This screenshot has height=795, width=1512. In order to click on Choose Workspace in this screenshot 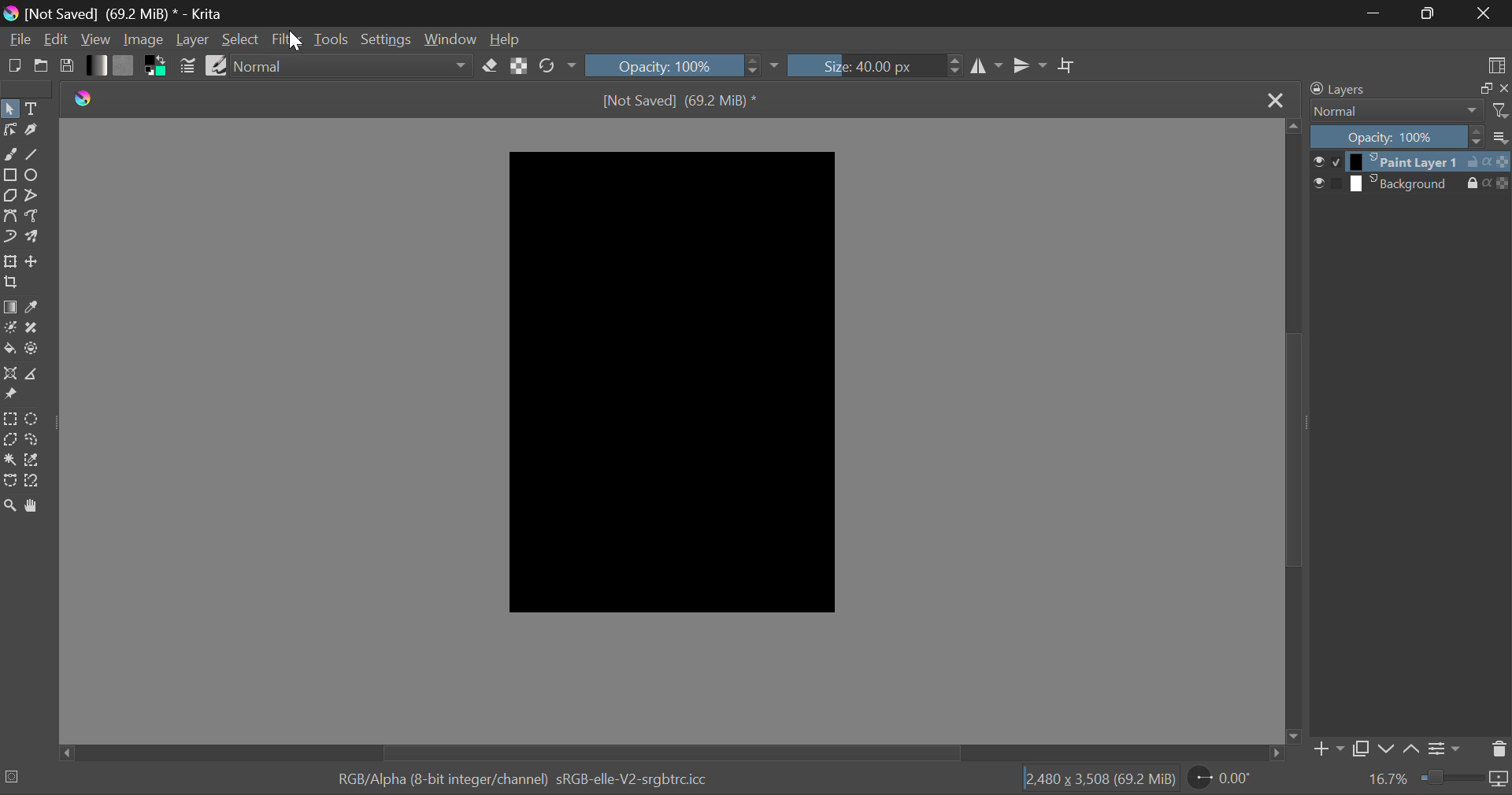, I will do `click(1495, 64)`.